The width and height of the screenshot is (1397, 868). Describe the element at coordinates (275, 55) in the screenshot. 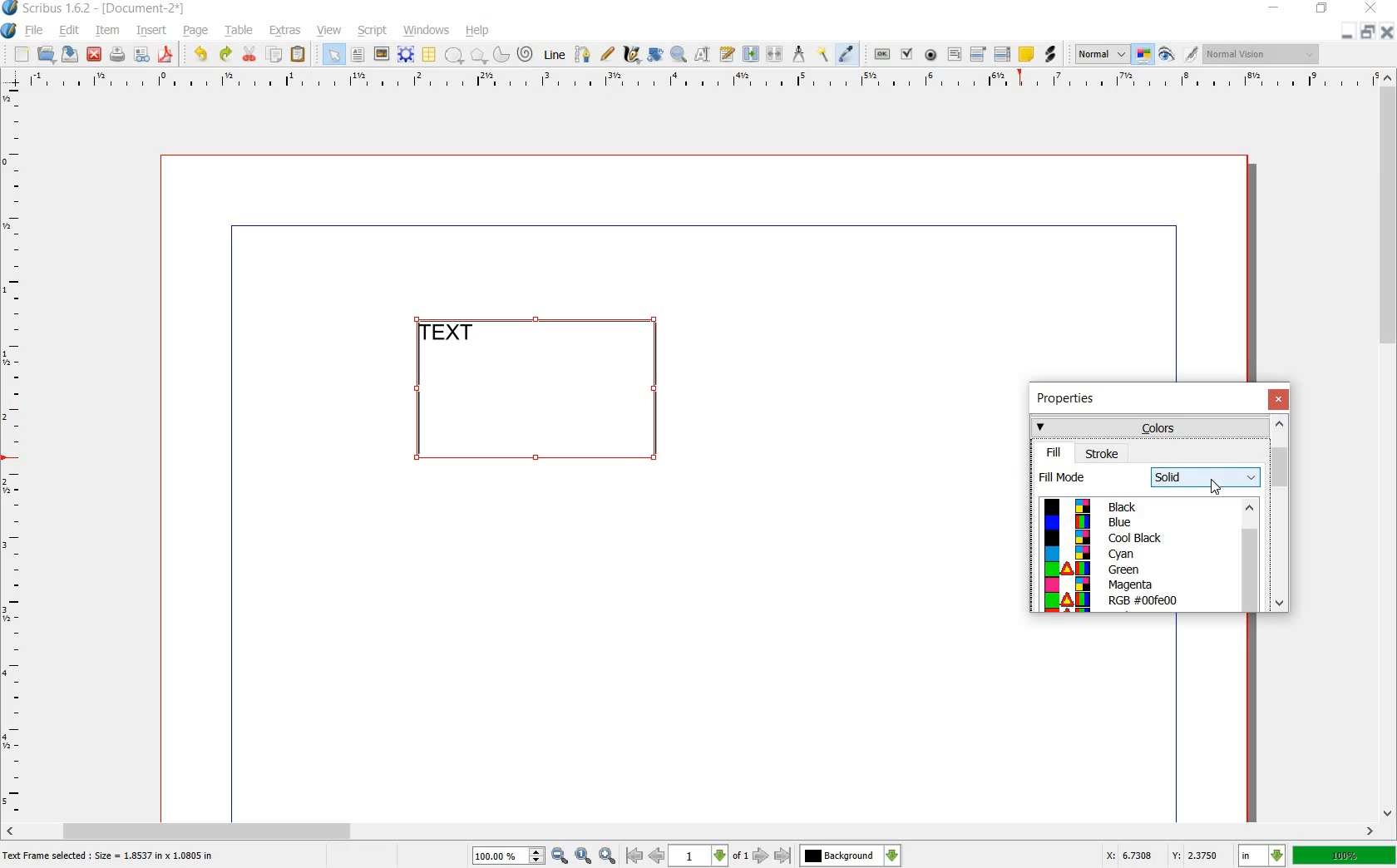

I see `copy` at that location.